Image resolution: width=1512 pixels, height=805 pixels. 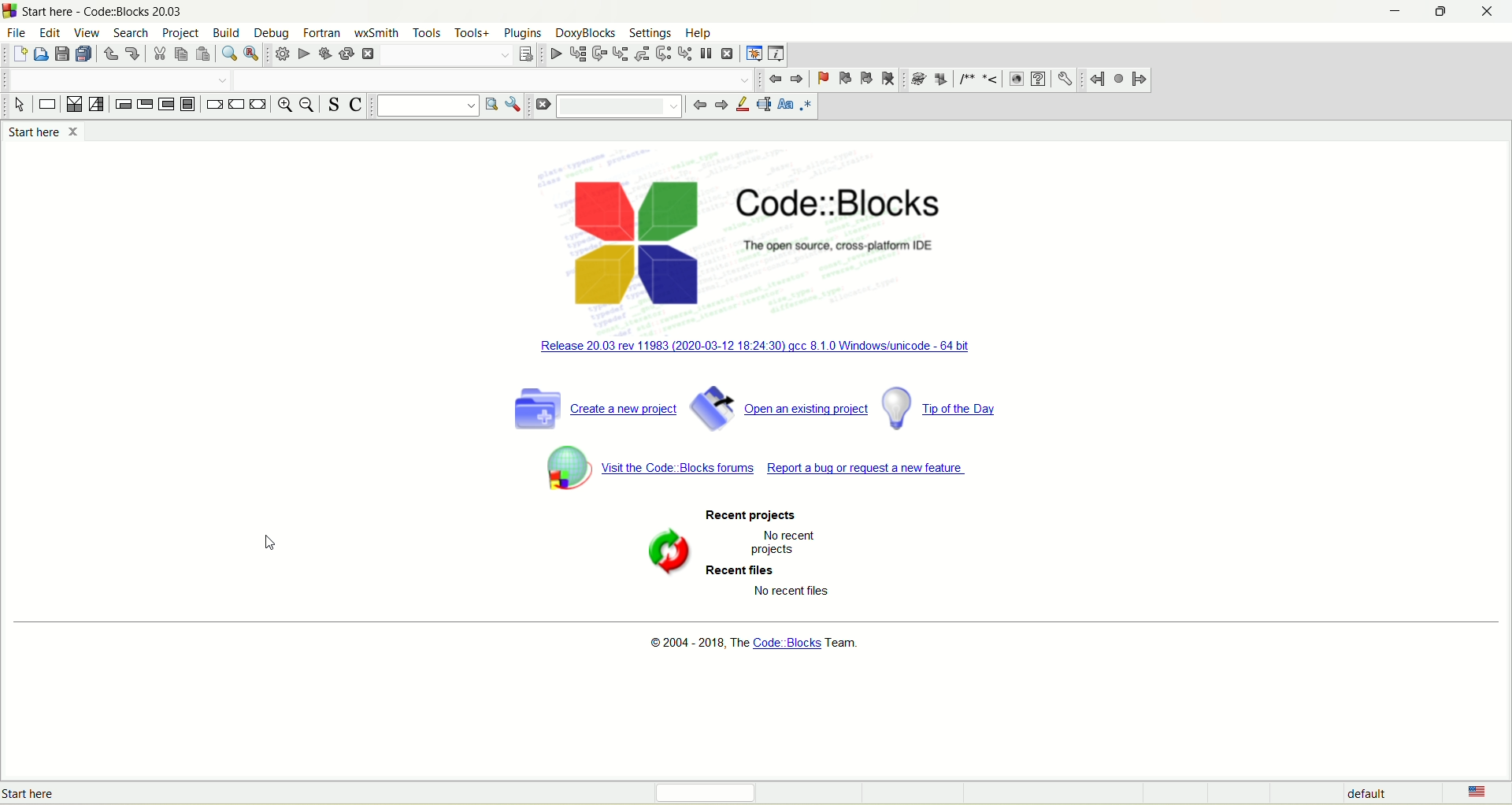 What do you see at coordinates (112, 54) in the screenshot?
I see `undo` at bounding box center [112, 54].